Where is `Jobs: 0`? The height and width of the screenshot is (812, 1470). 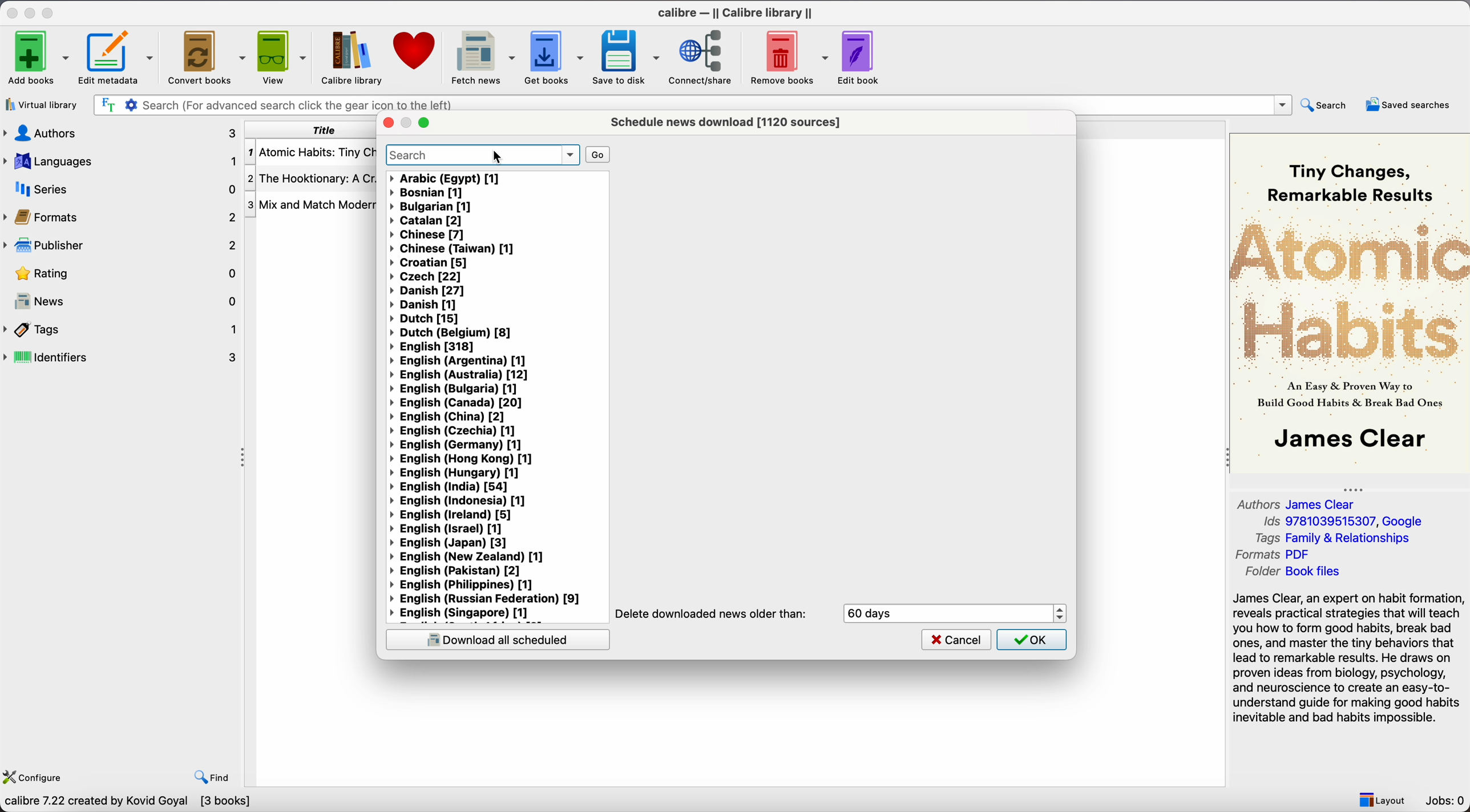 Jobs: 0 is located at coordinates (1446, 801).